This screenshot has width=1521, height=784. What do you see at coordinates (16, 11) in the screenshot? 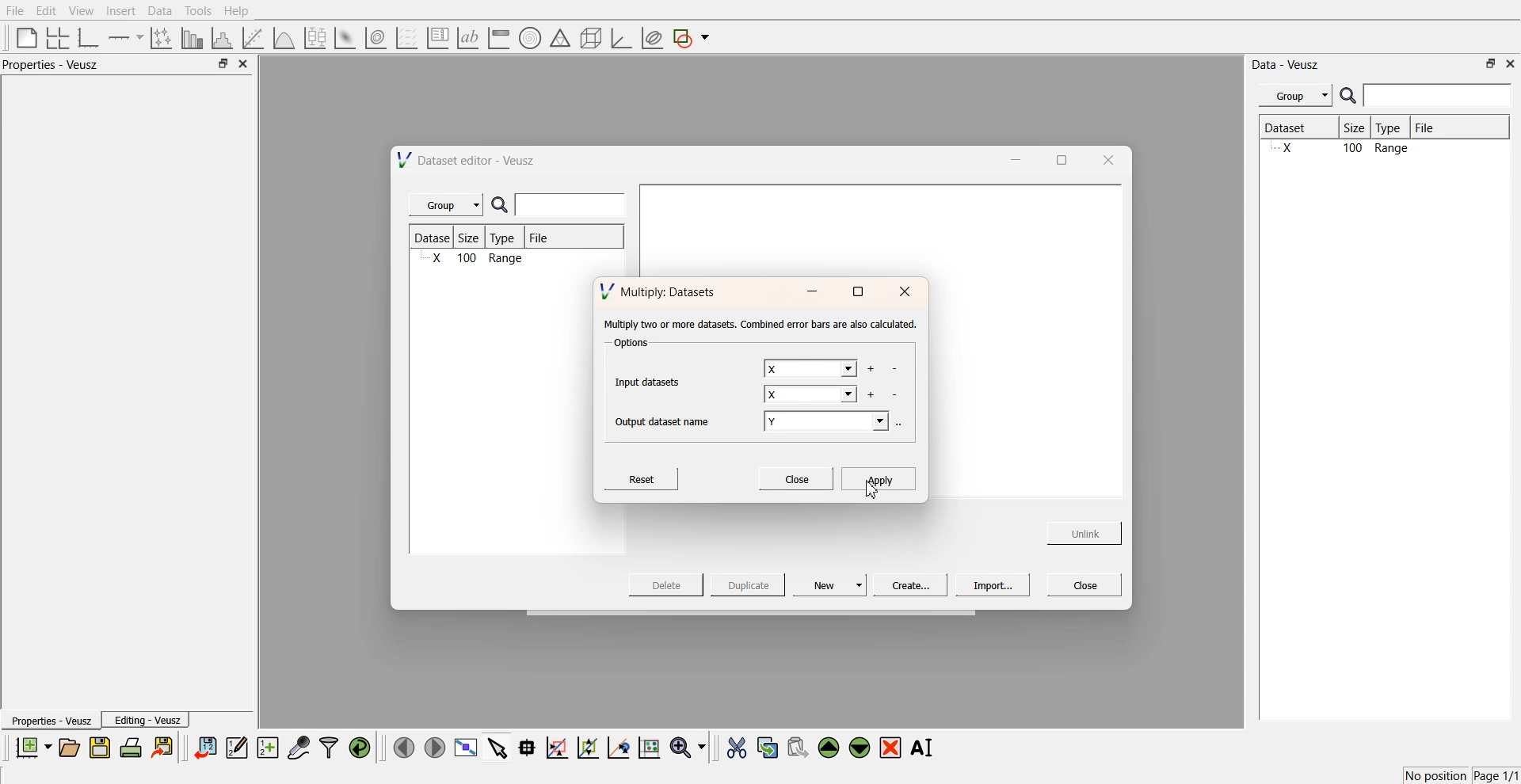
I see `File` at bounding box center [16, 11].